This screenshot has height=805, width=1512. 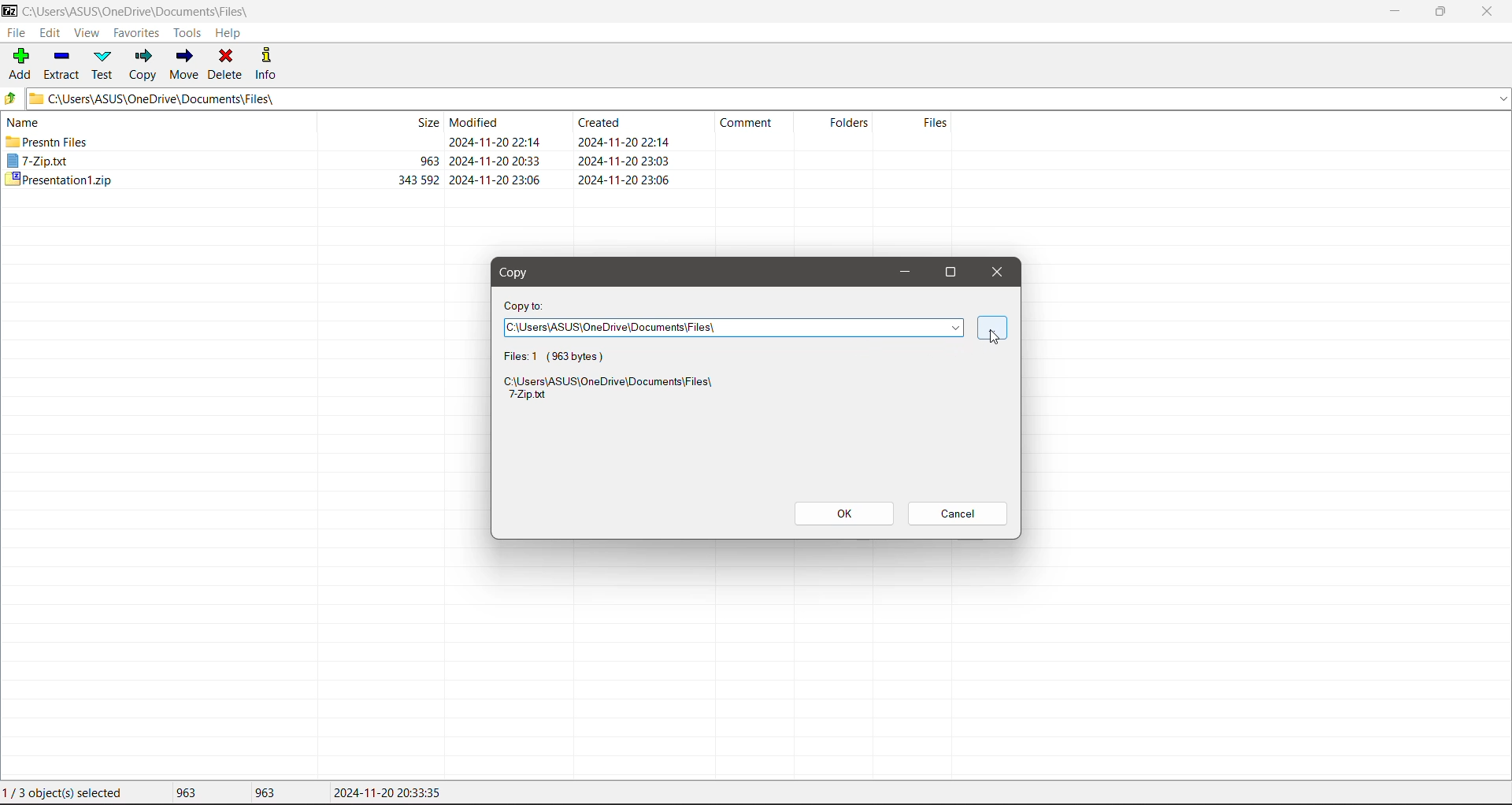 I want to click on Folders, so click(x=843, y=128).